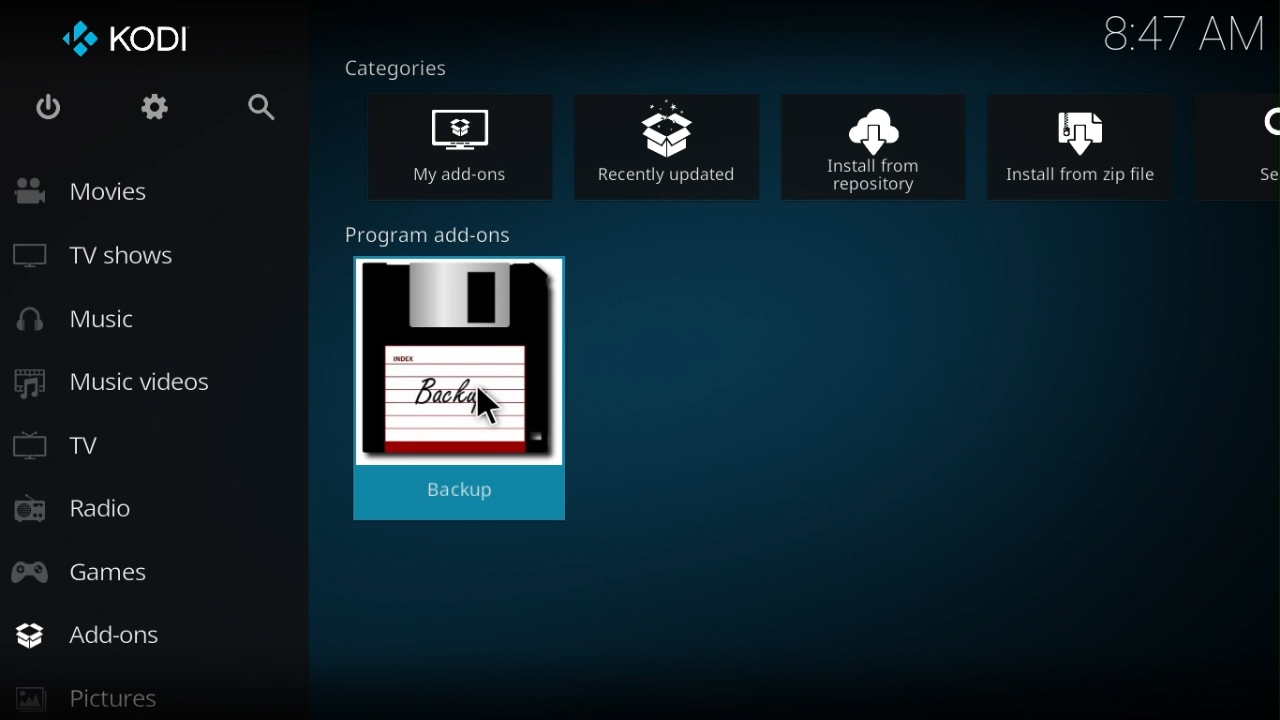 The width and height of the screenshot is (1280, 720). Describe the element at coordinates (1095, 144) in the screenshot. I see `Install from zip file` at that location.